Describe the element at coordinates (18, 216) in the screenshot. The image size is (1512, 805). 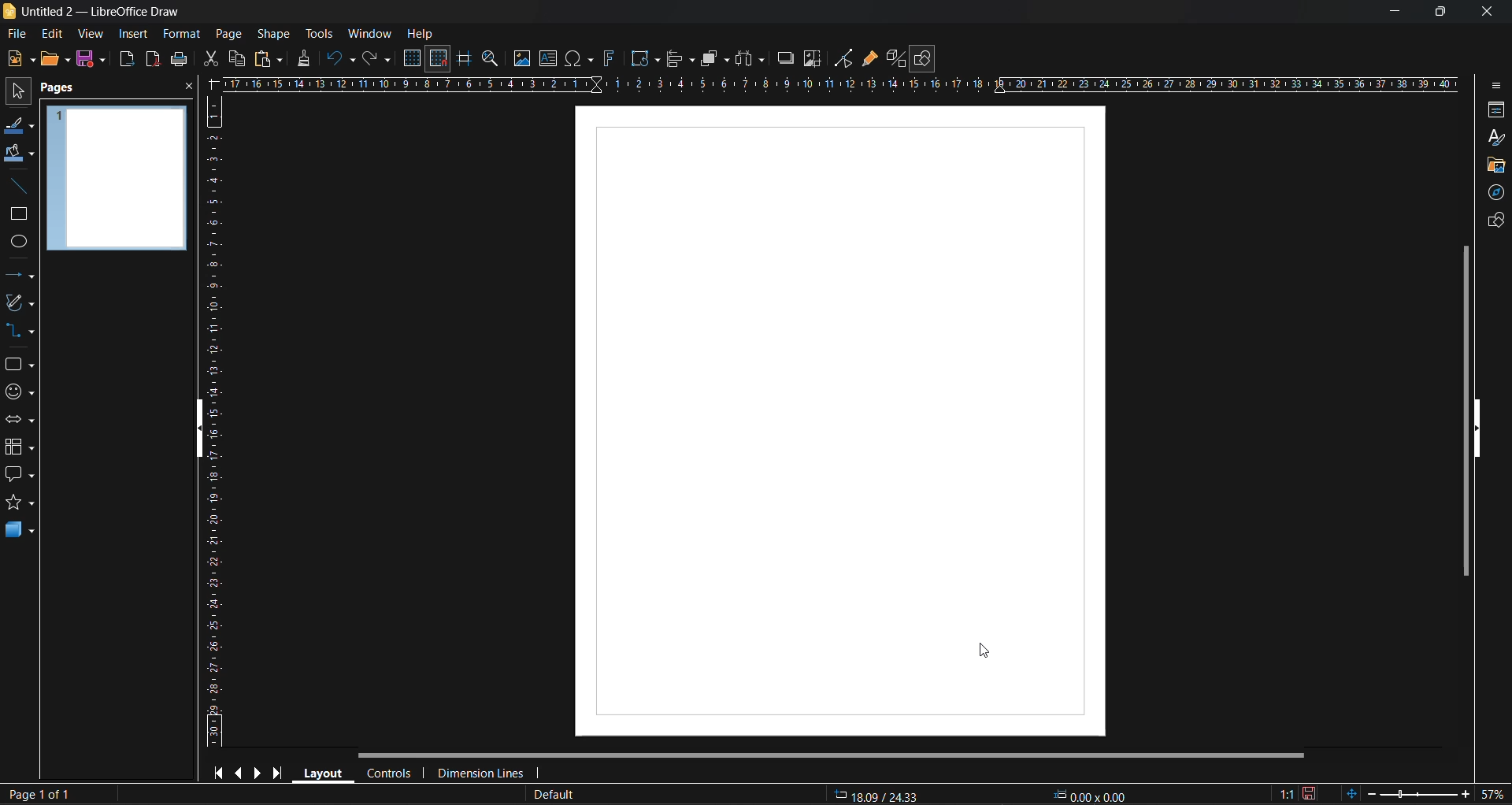
I see `rectangle` at that location.